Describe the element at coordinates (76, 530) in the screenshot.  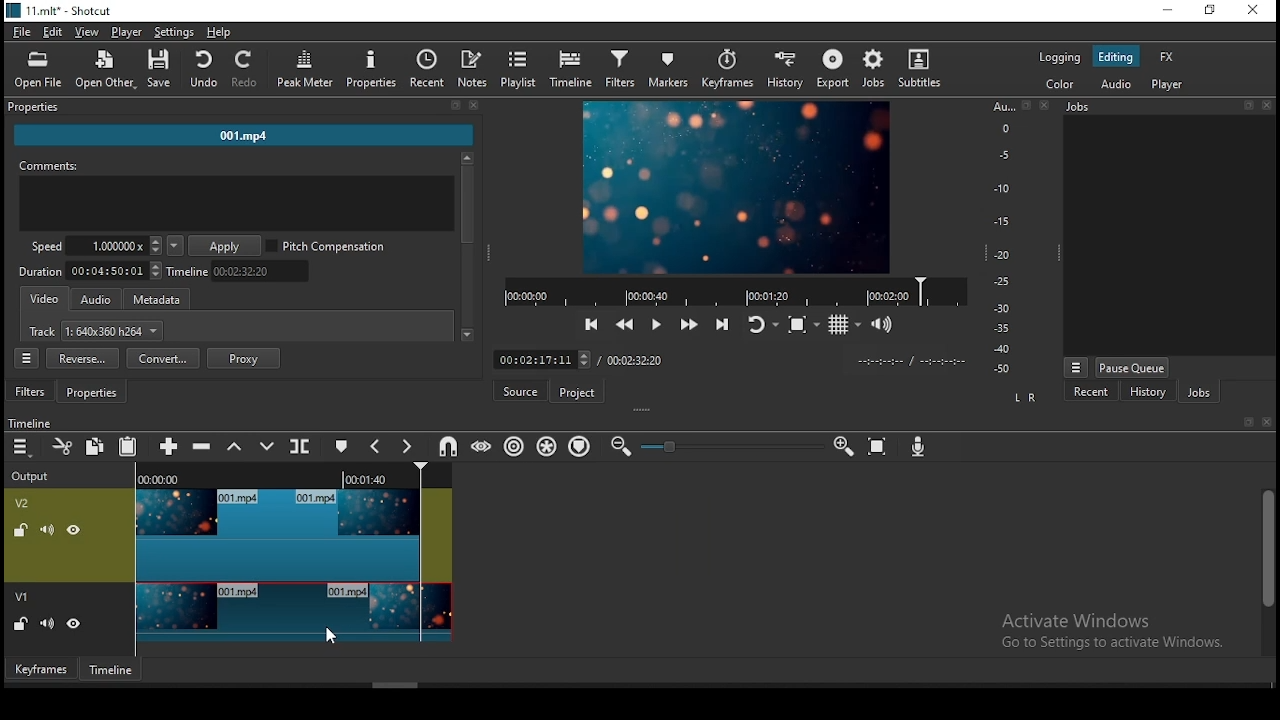
I see `(UN)HIDE` at that location.